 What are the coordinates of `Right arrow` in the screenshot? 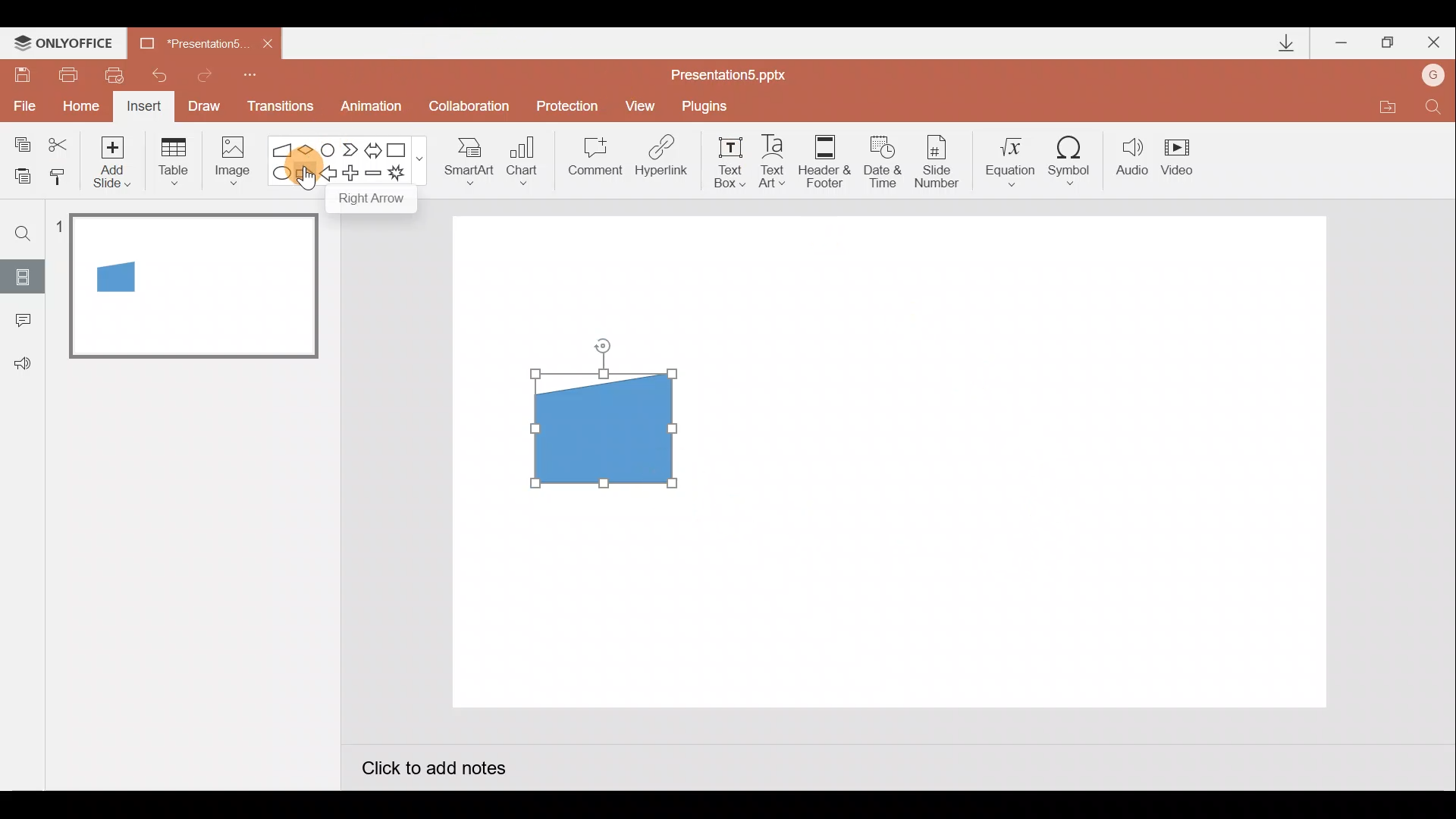 It's located at (306, 172).